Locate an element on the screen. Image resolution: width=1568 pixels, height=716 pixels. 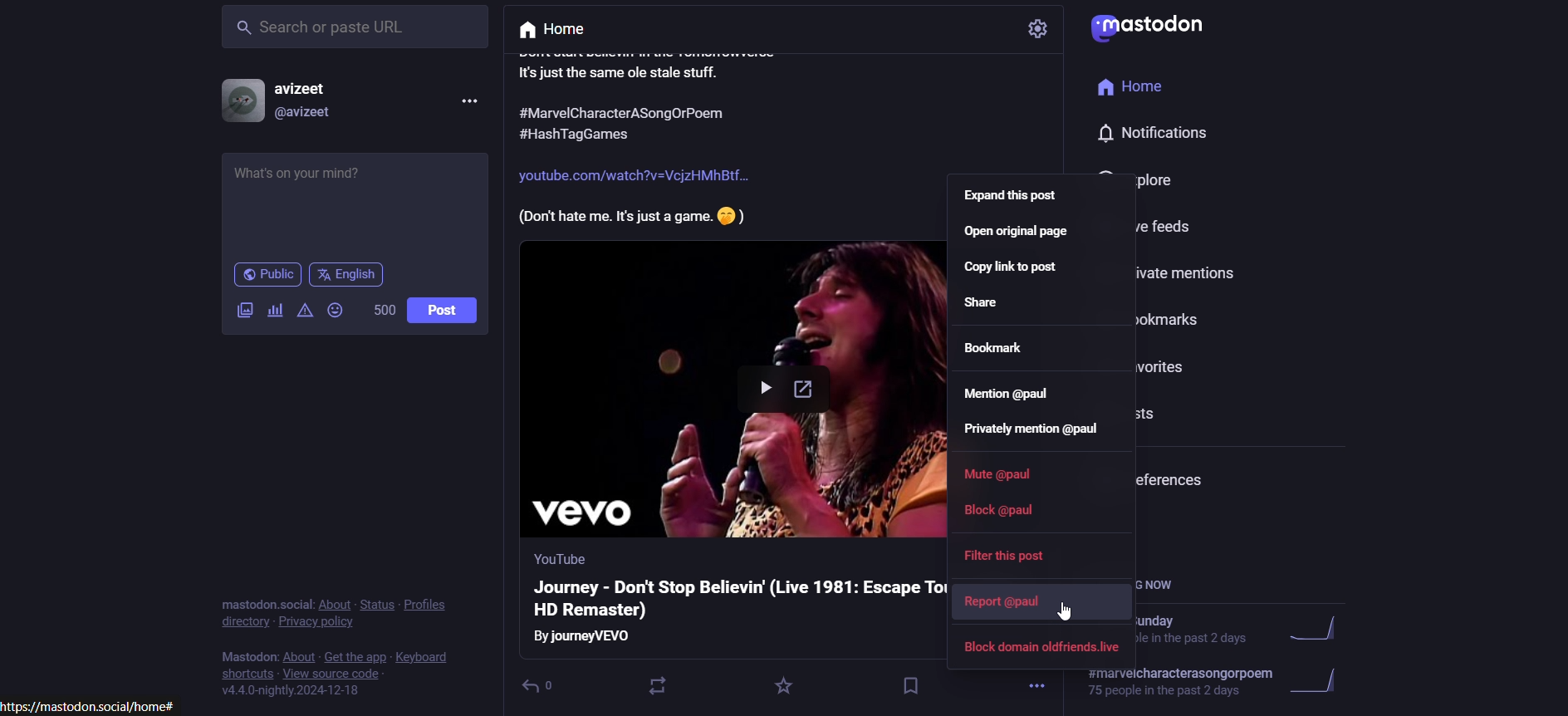
favorites is located at coordinates (782, 686).